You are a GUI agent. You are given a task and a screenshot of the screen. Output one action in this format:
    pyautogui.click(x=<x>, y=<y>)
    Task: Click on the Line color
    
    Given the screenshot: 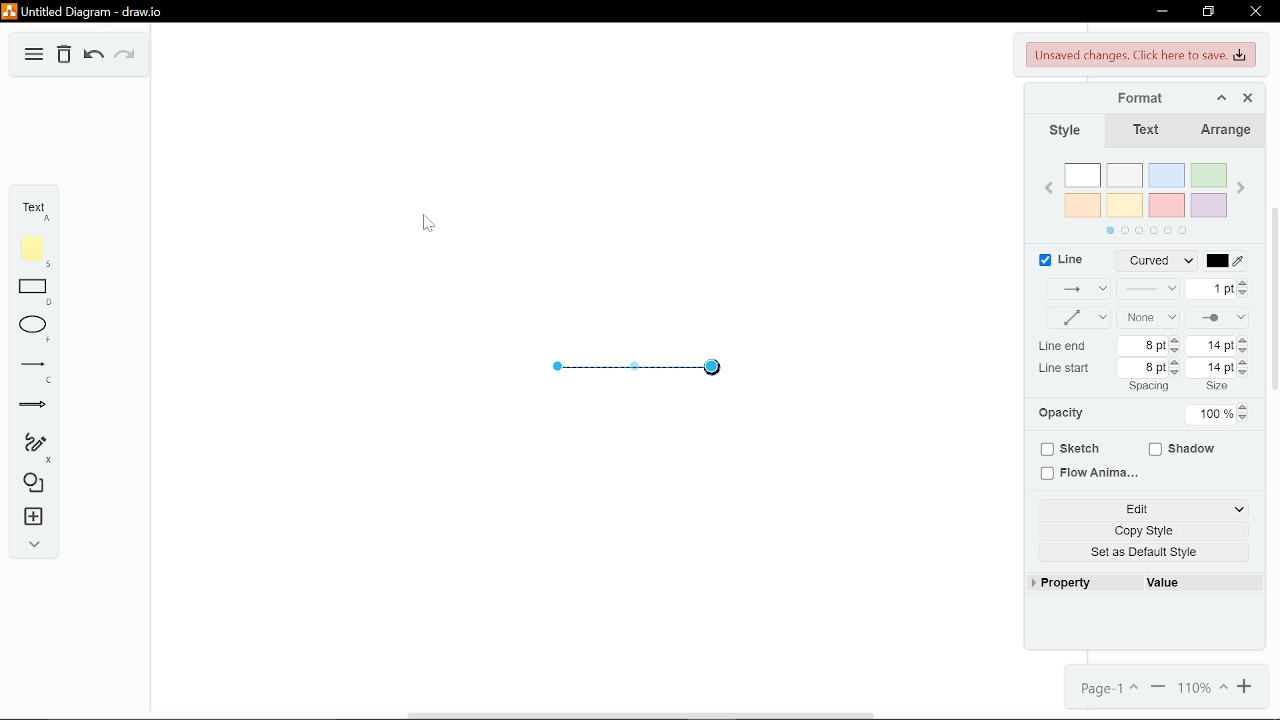 What is the action you would take?
    pyautogui.click(x=1230, y=261)
    